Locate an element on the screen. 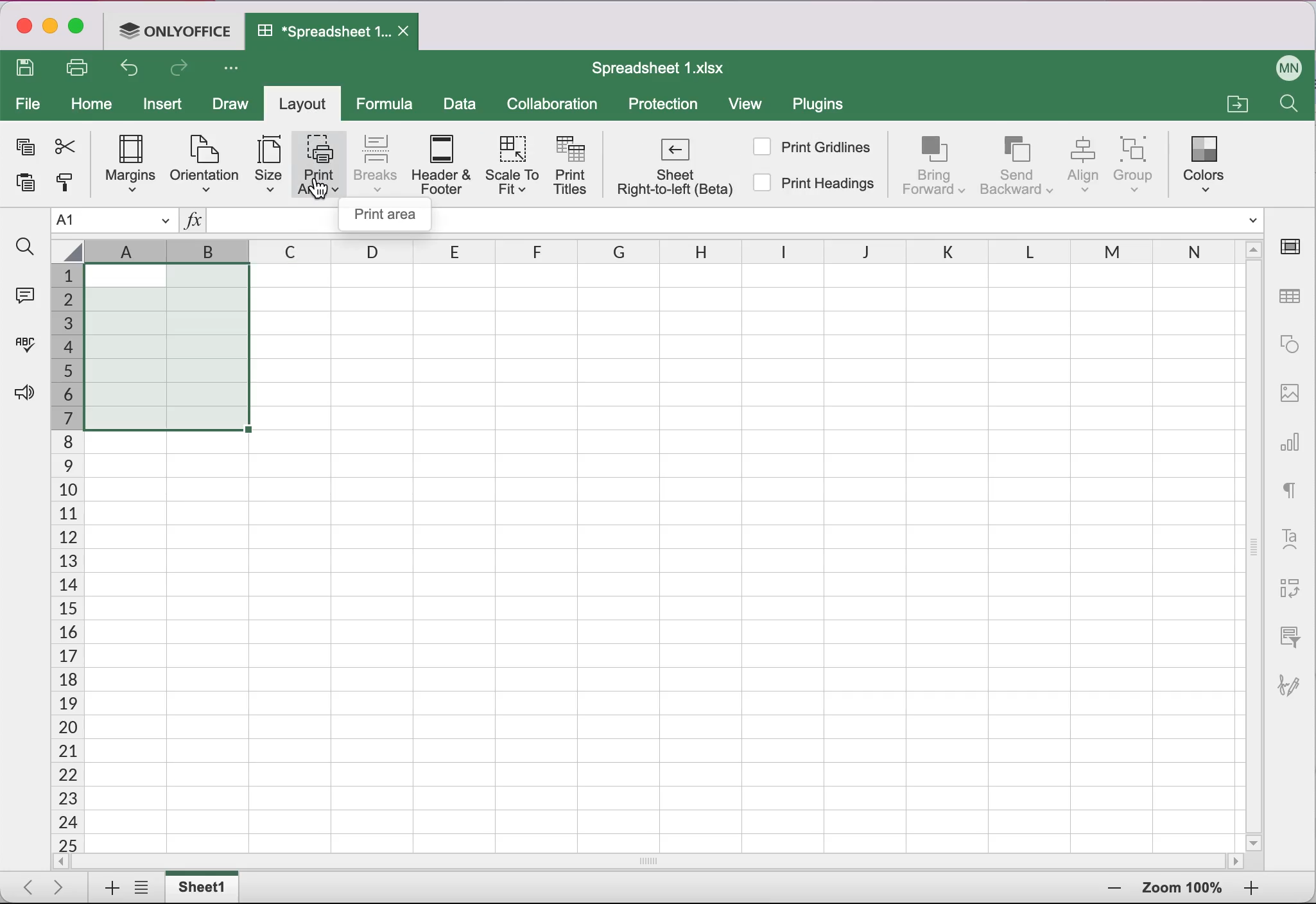 This screenshot has height=904, width=1316. cut is located at coordinates (64, 146).